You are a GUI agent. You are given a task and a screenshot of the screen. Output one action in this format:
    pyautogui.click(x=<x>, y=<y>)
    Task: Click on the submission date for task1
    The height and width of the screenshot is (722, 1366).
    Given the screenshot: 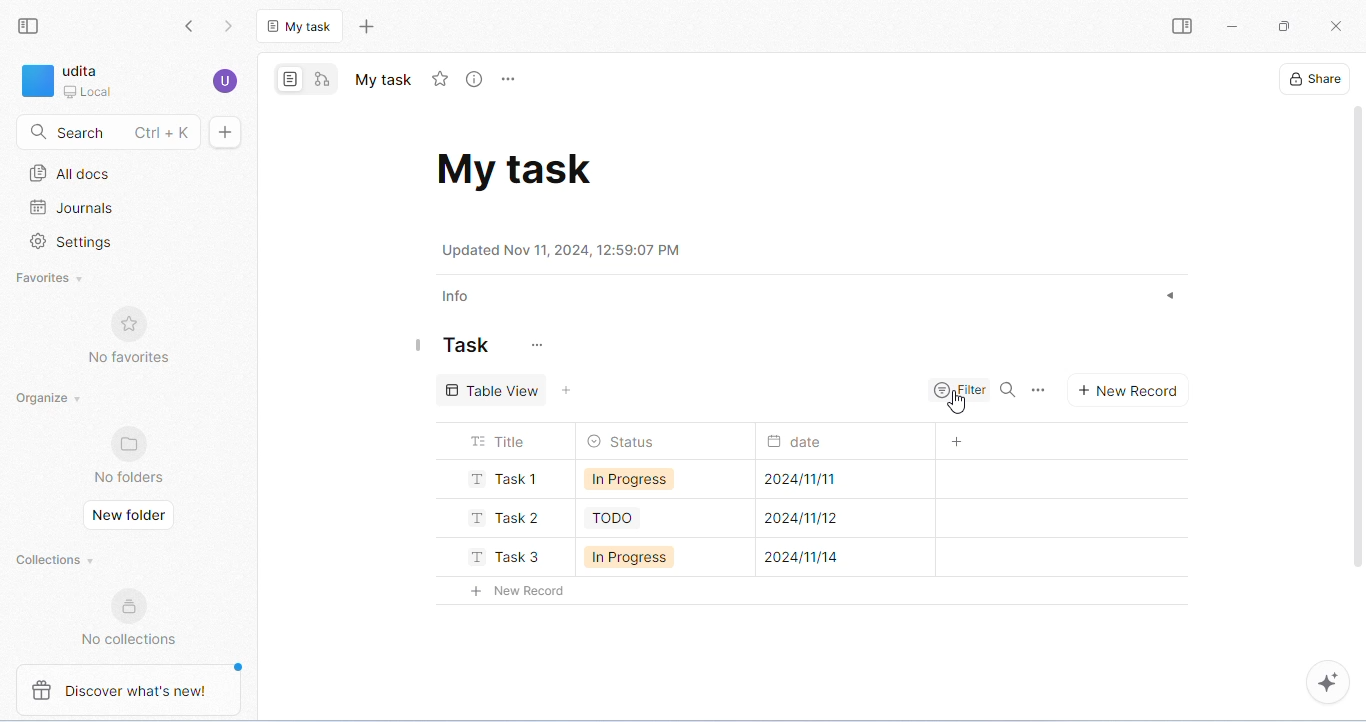 What is the action you would take?
    pyautogui.click(x=802, y=480)
    